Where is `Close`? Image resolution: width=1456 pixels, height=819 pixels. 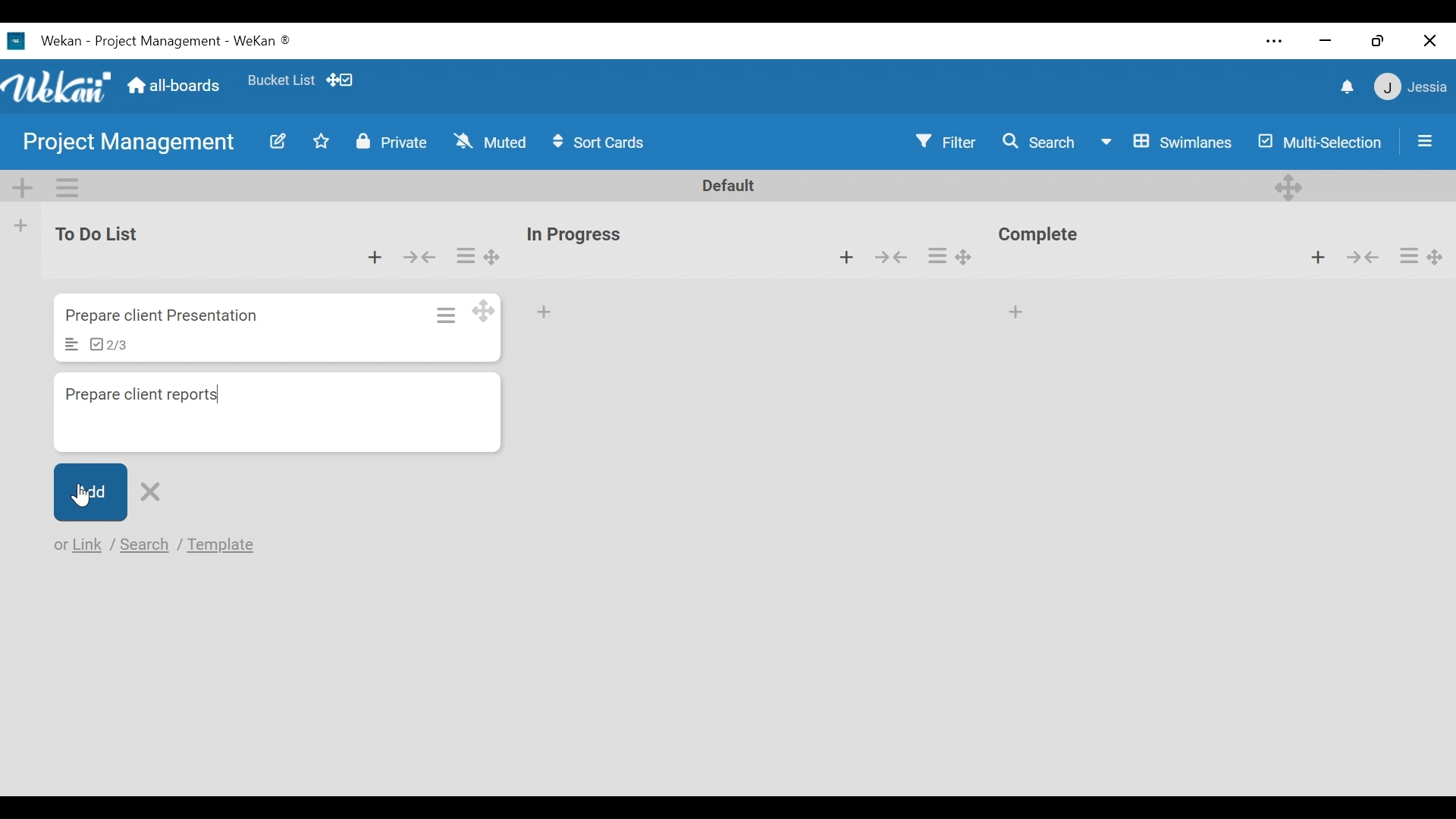
Close is located at coordinates (1429, 37).